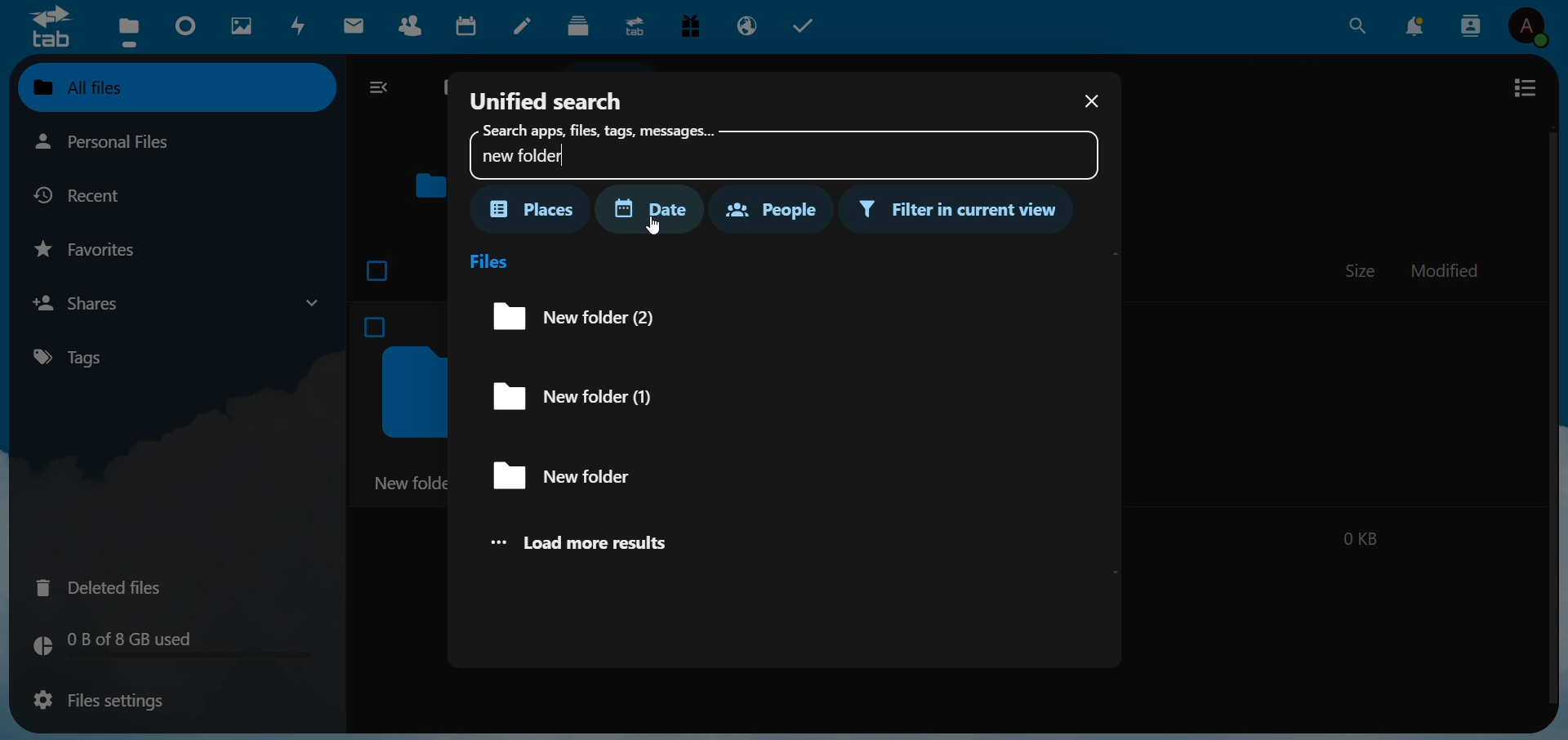 The height and width of the screenshot is (740, 1568). I want to click on folder icon, so click(410, 392).